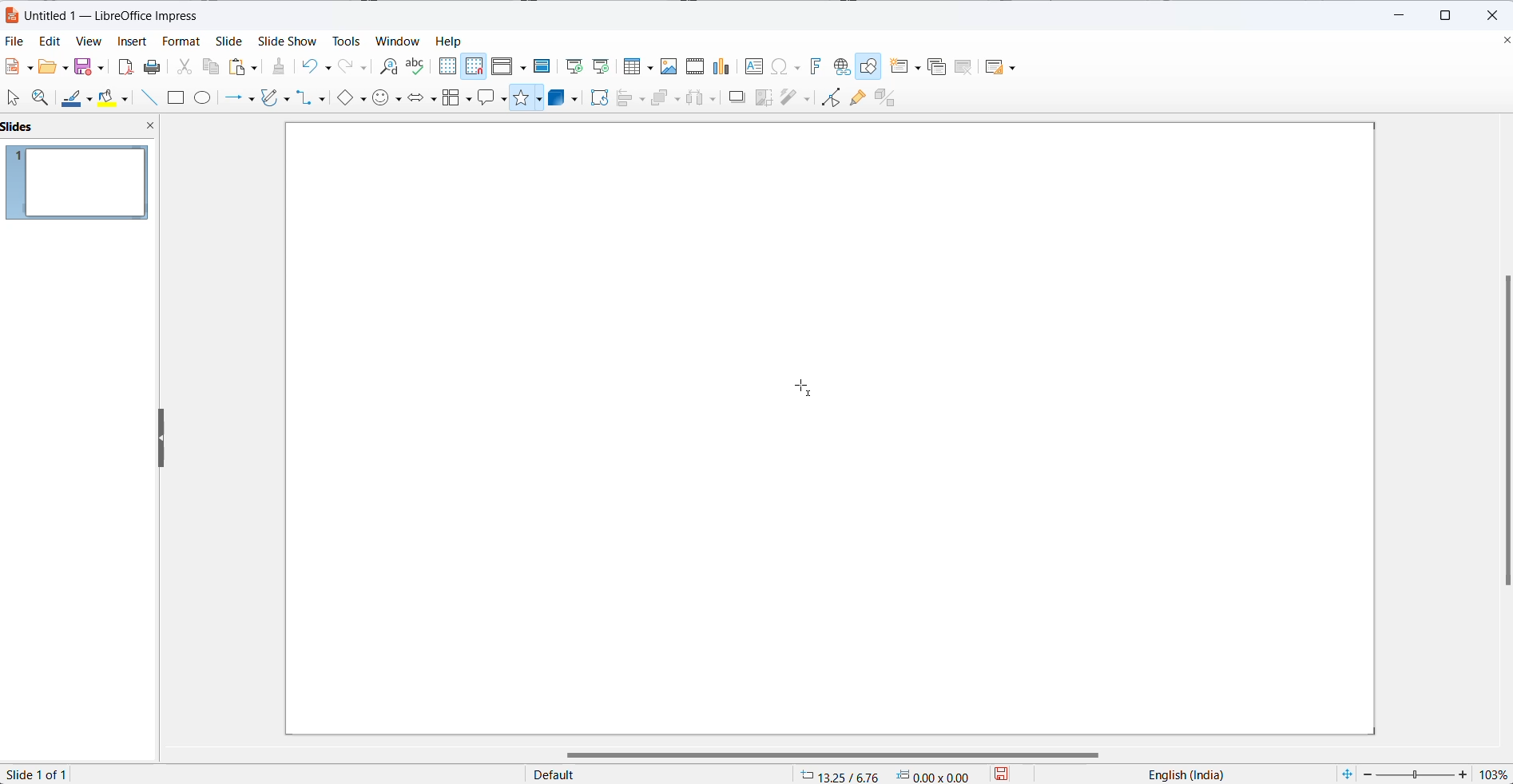  I want to click on select, so click(14, 97).